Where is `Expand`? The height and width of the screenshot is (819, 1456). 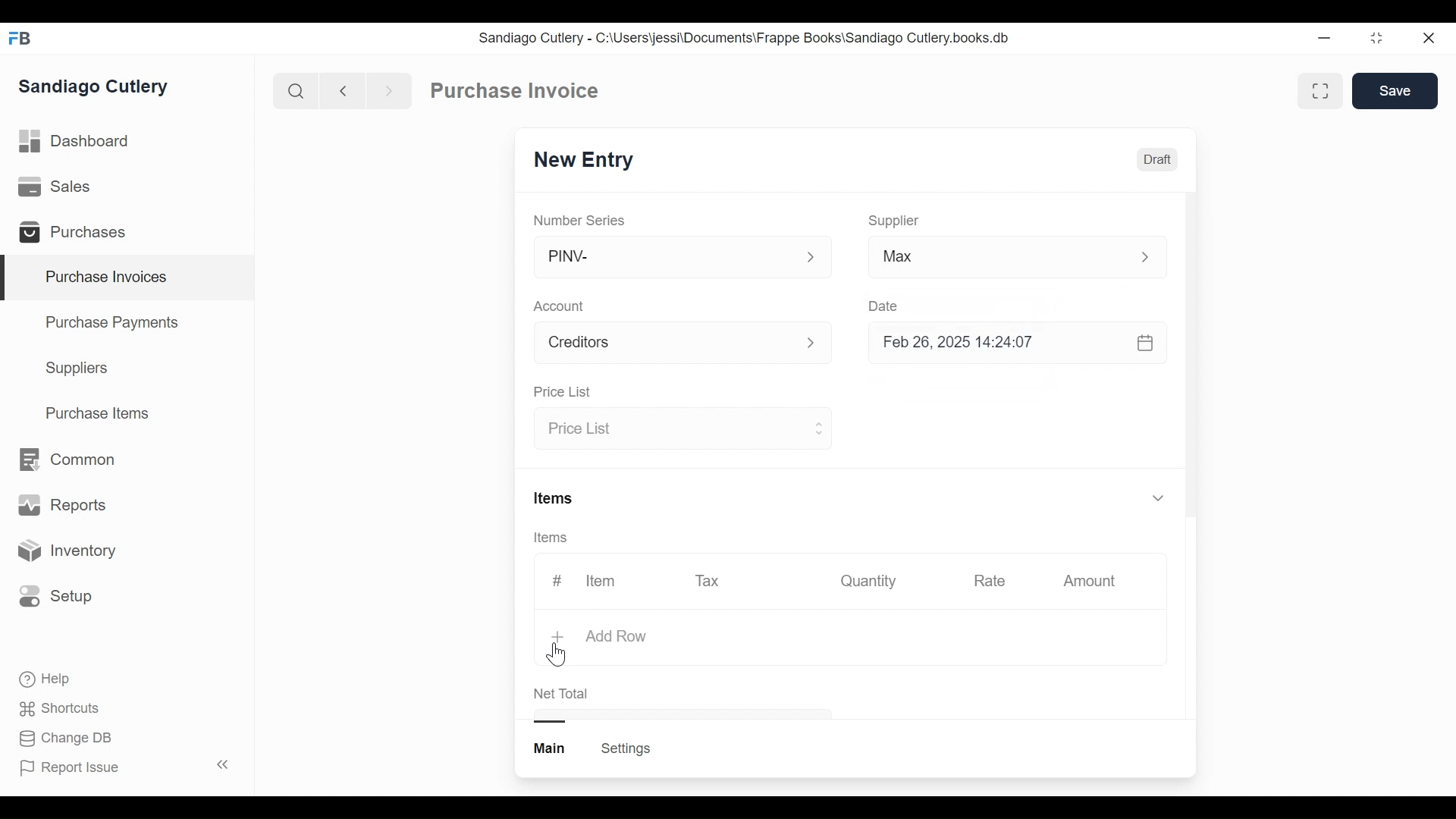 Expand is located at coordinates (811, 258).